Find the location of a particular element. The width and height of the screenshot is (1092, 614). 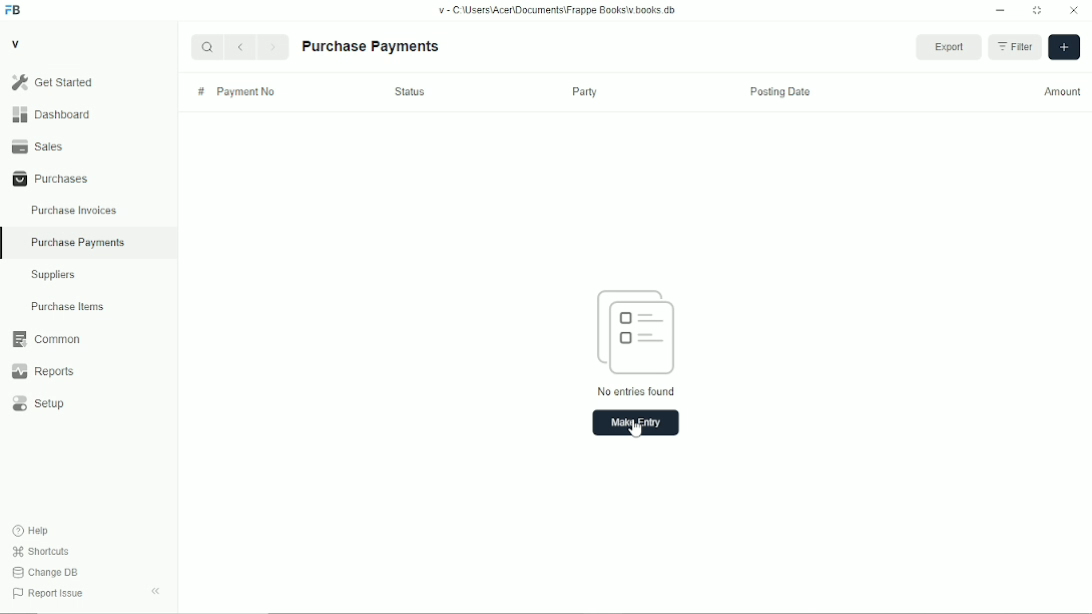

Party is located at coordinates (584, 92).